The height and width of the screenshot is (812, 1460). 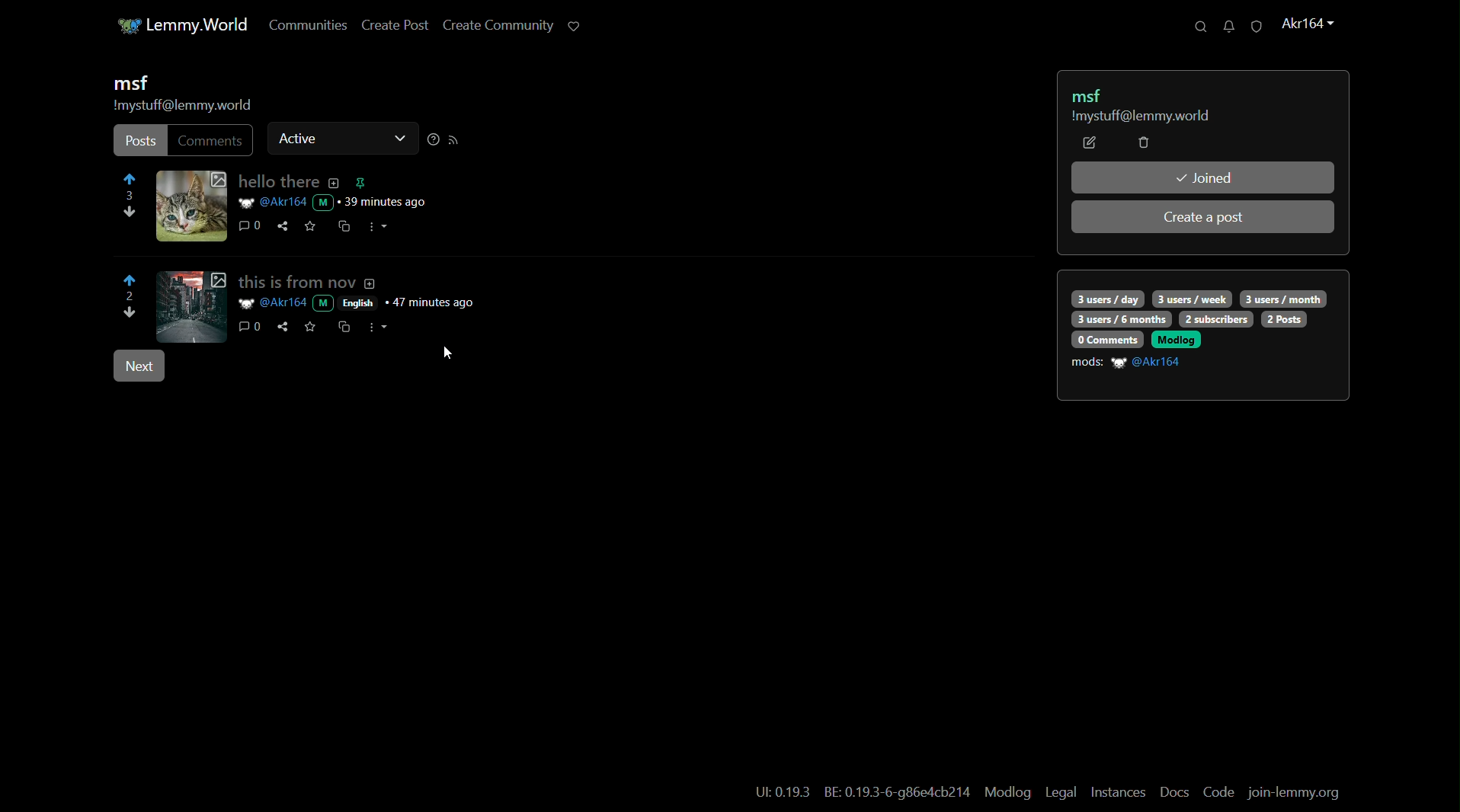 I want to click on icon, so click(x=122, y=26).